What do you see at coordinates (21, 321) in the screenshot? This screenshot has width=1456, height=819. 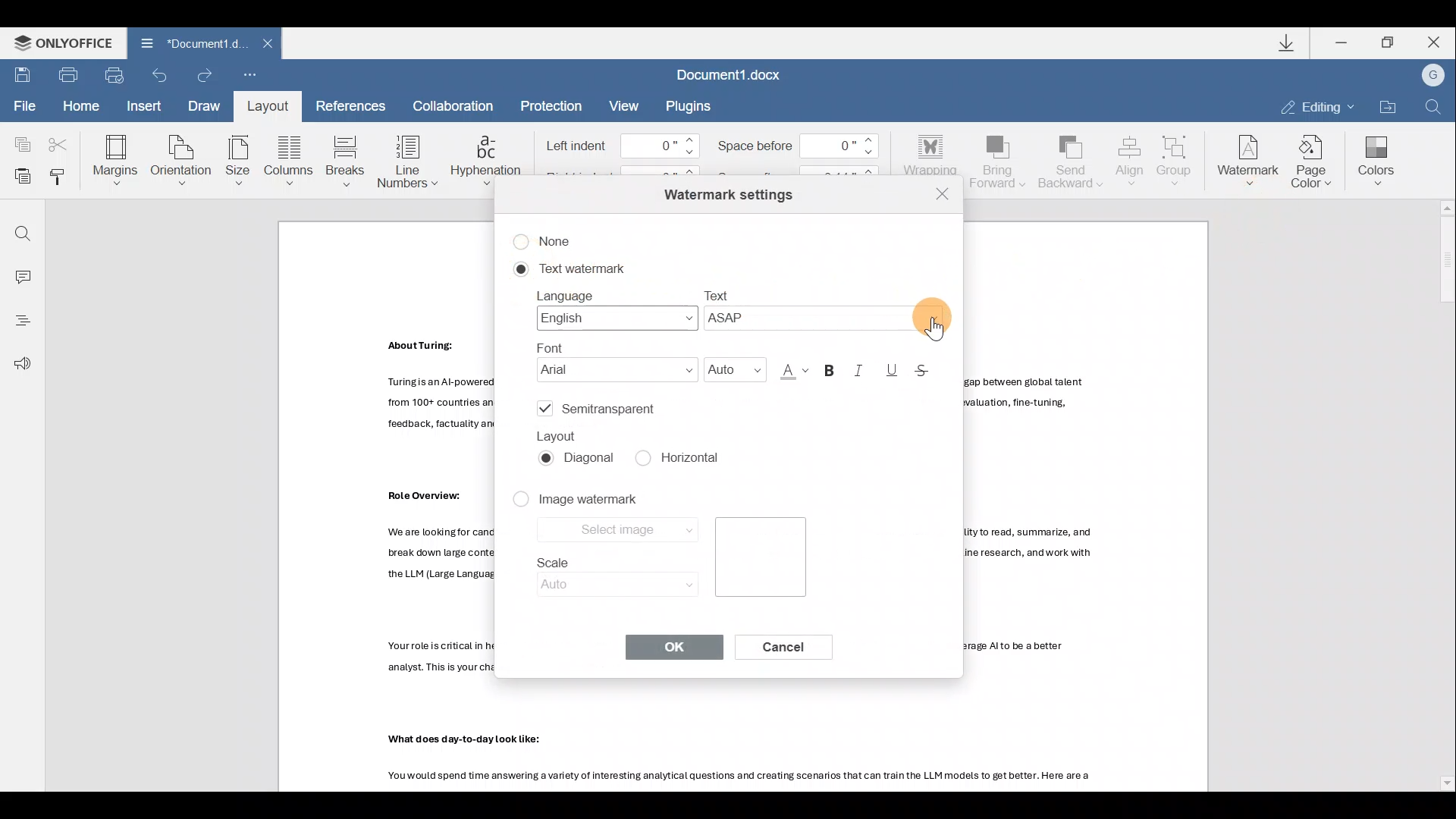 I see `Heading` at bounding box center [21, 321].